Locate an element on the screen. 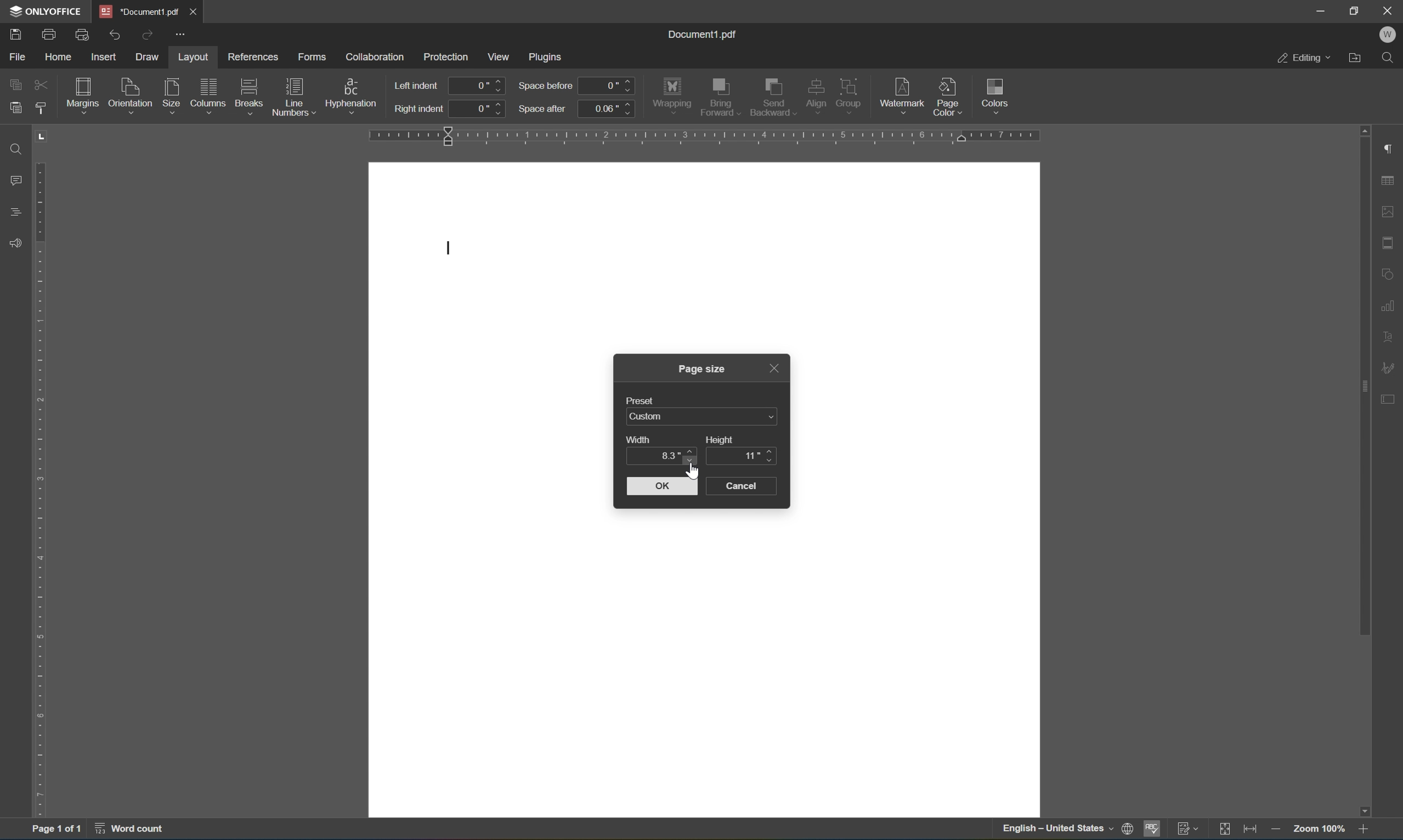 The image size is (1403, 840). ruler is located at coordinates (707, 136).